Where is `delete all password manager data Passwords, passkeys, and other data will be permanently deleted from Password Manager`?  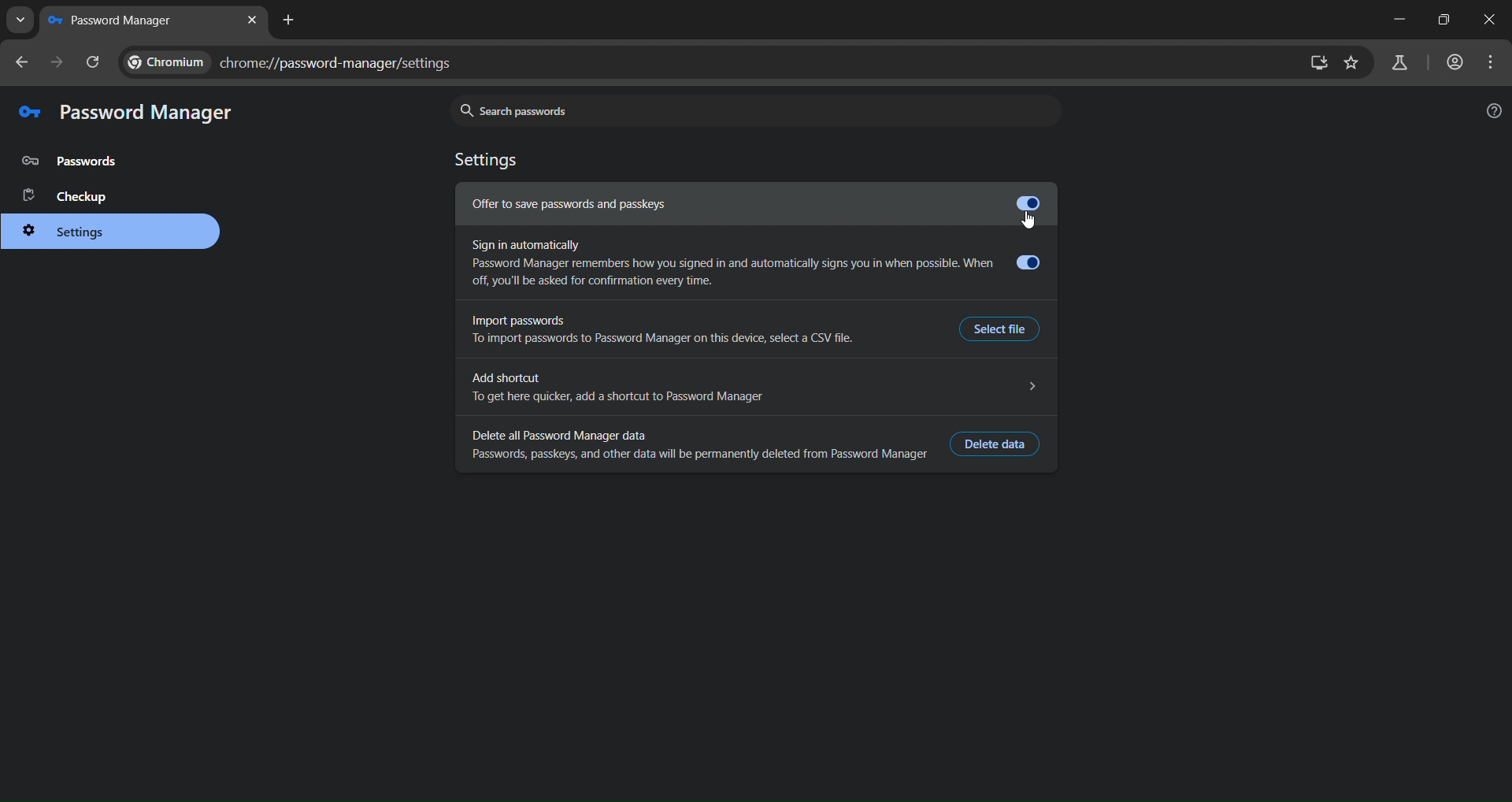 delete all password manager data Passwords, passkeys, and other data will be permanently deleted from Password Manager is located at coordinates (695, 440).